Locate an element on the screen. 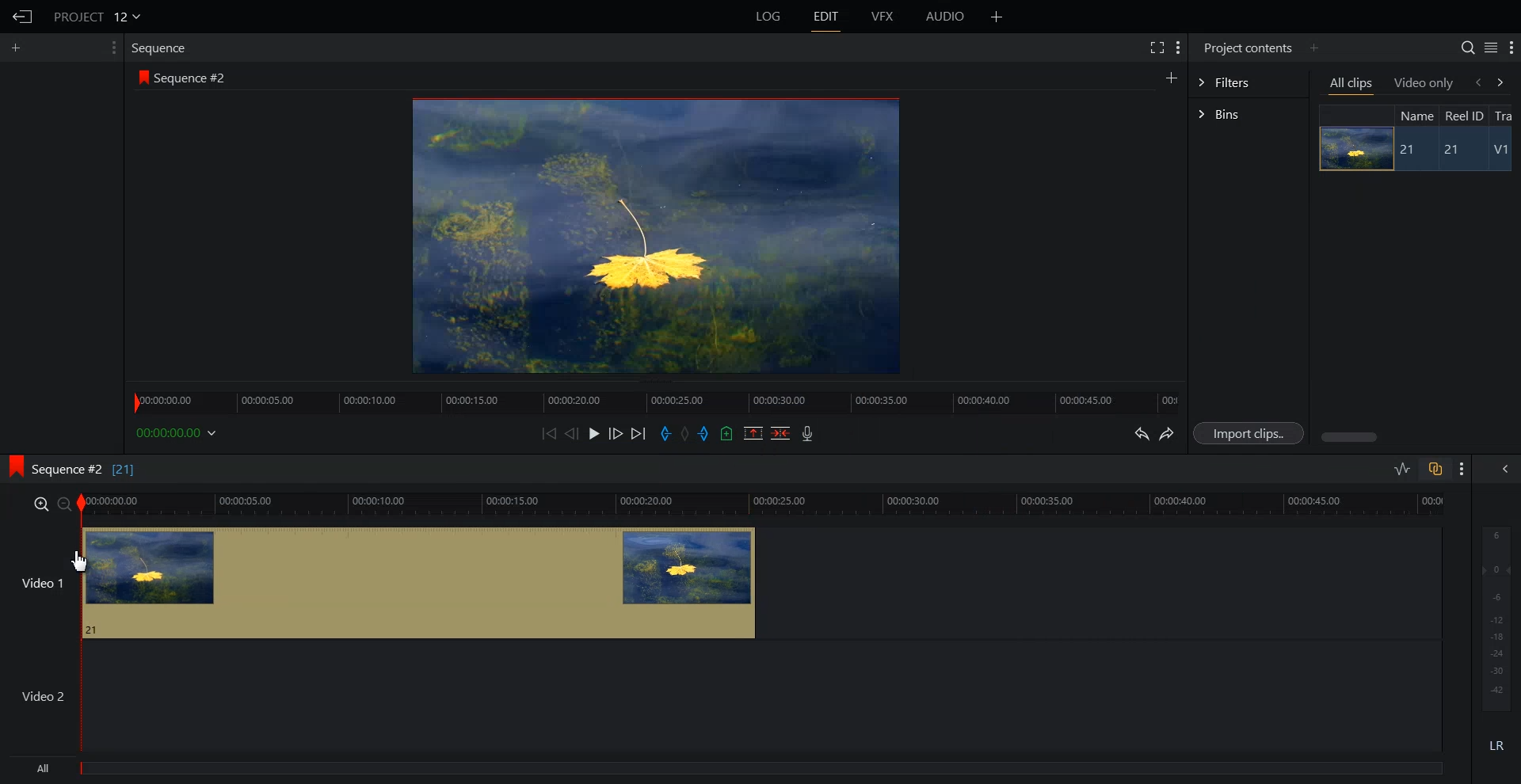  Video only is located at coordinates (1424, 82).